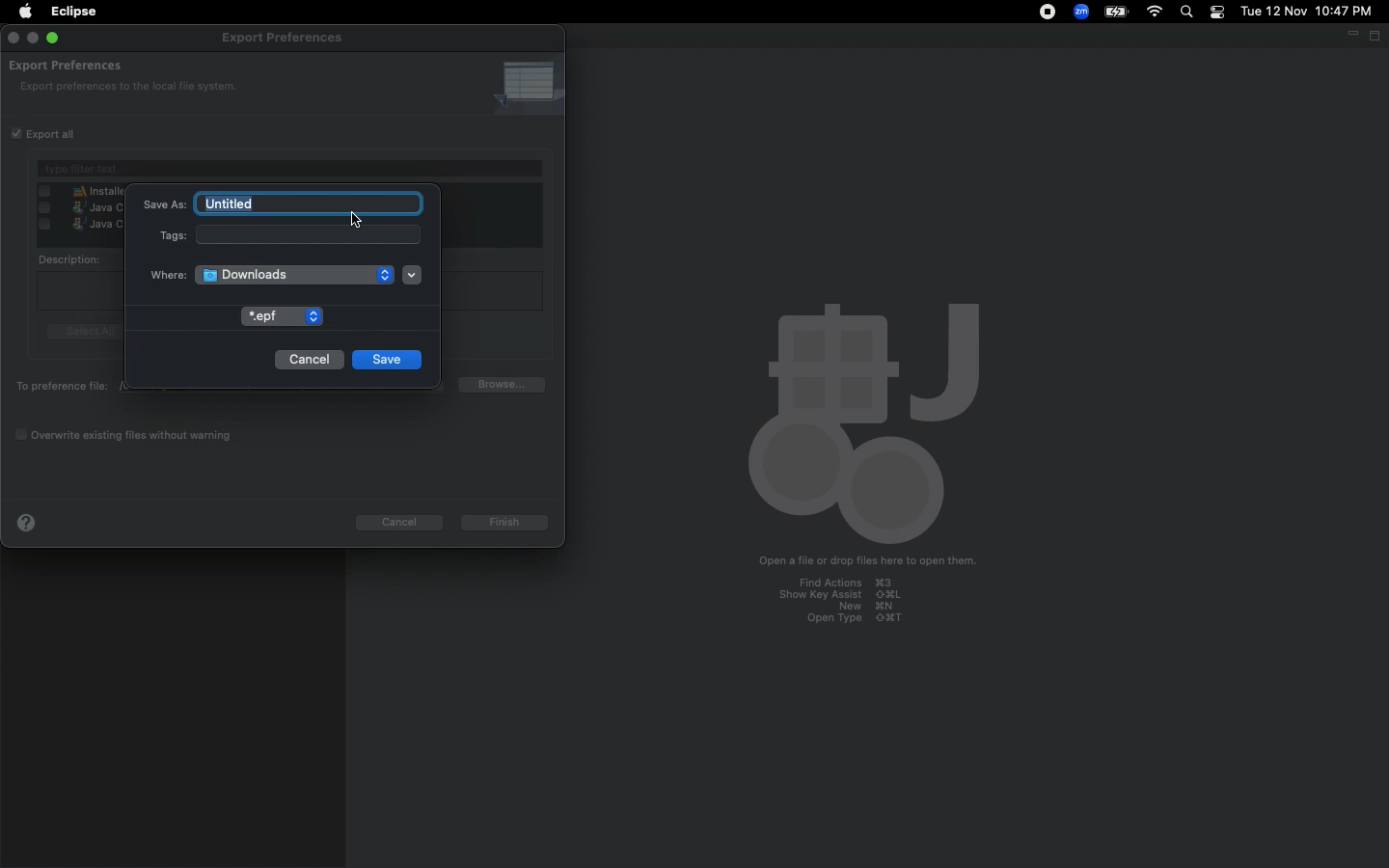 The width and height of the screenshot is (1389, 868). What do you see at coordinates (52, 39) in the screenshot?
I see `Maximize` at bounding box center [52, 39].